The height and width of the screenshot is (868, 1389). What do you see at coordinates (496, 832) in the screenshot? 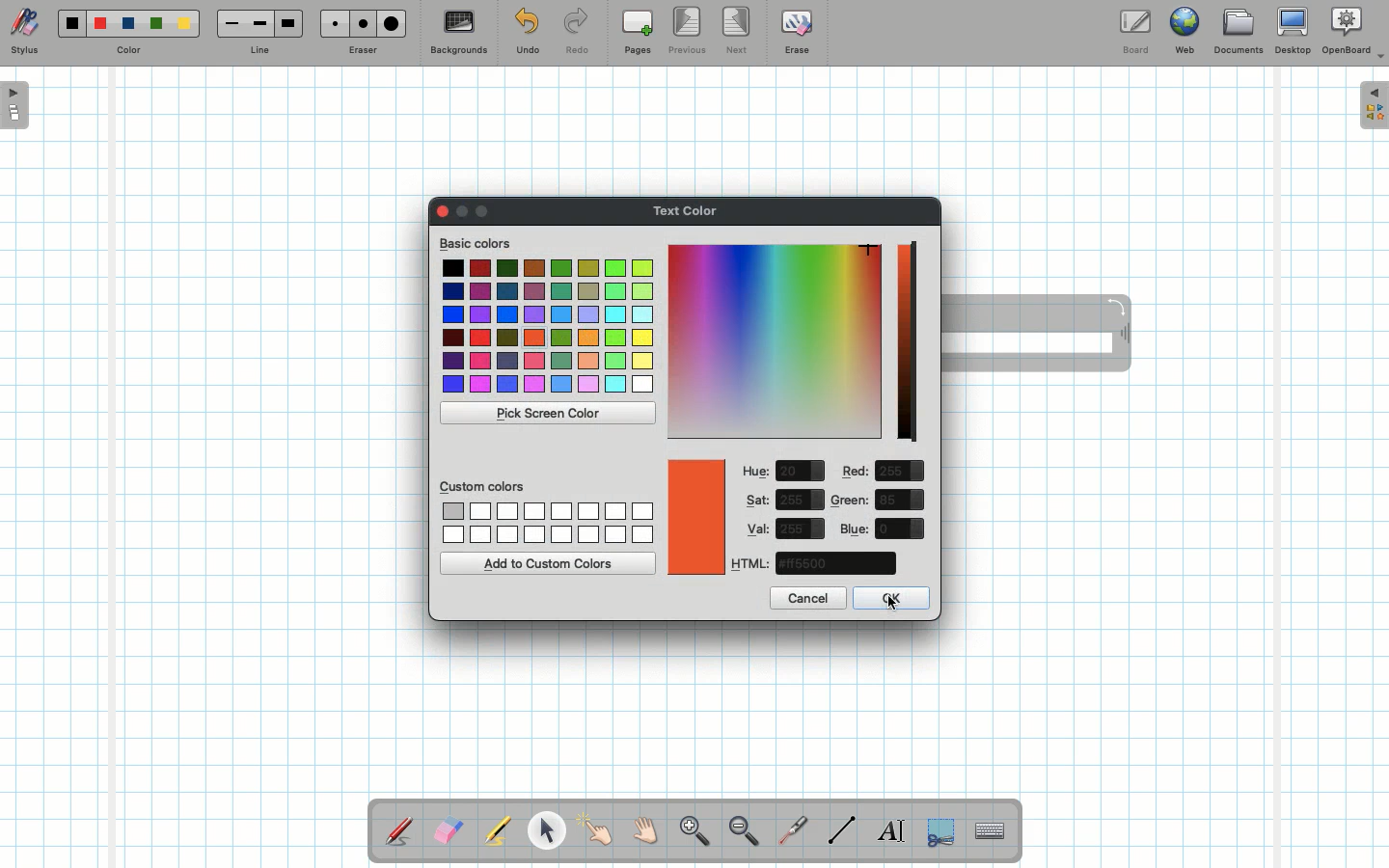
I see `Highlighter` at bounding box center [496, 832].